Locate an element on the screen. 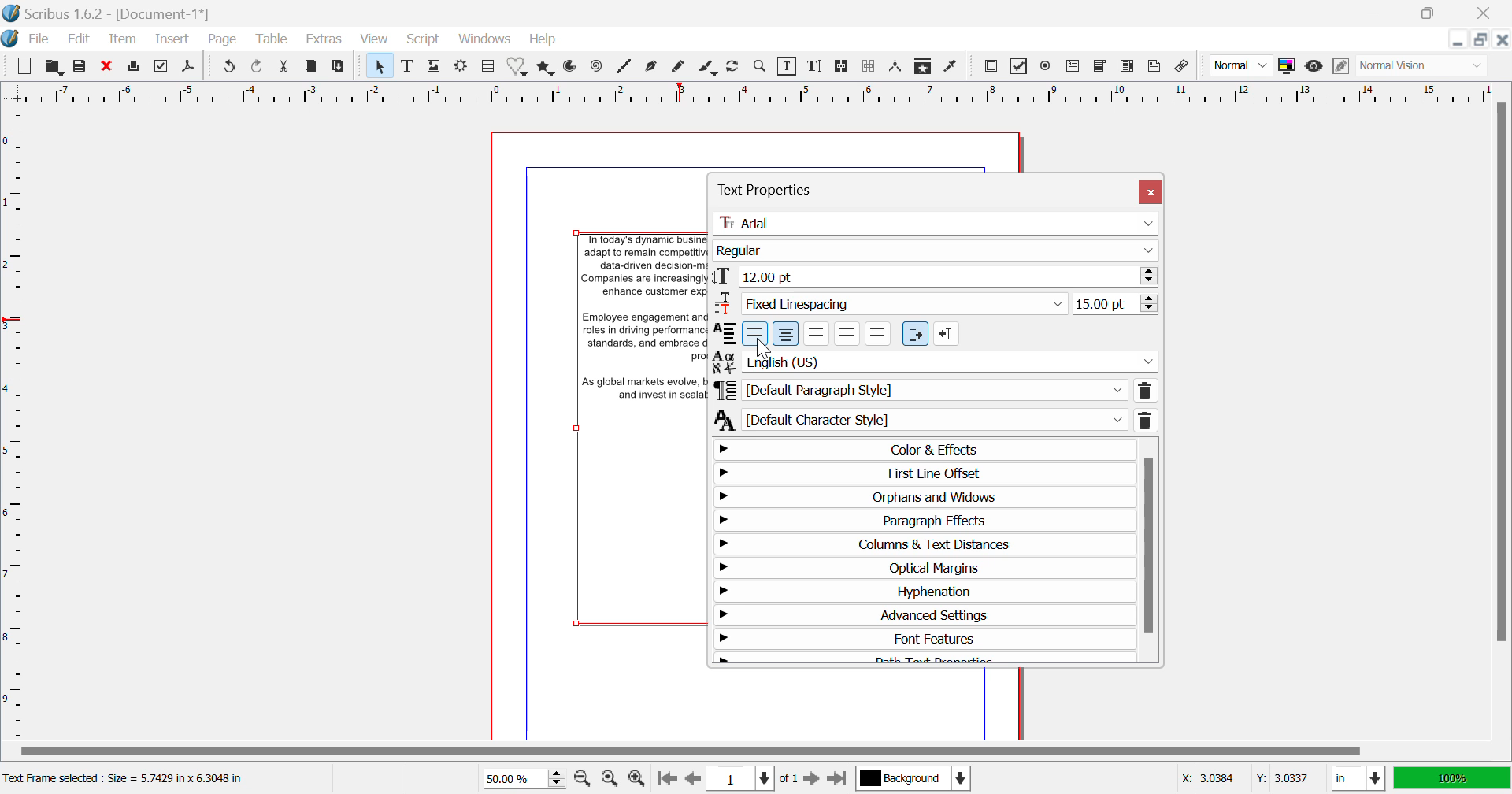  File is located at coordinates (38, 39).